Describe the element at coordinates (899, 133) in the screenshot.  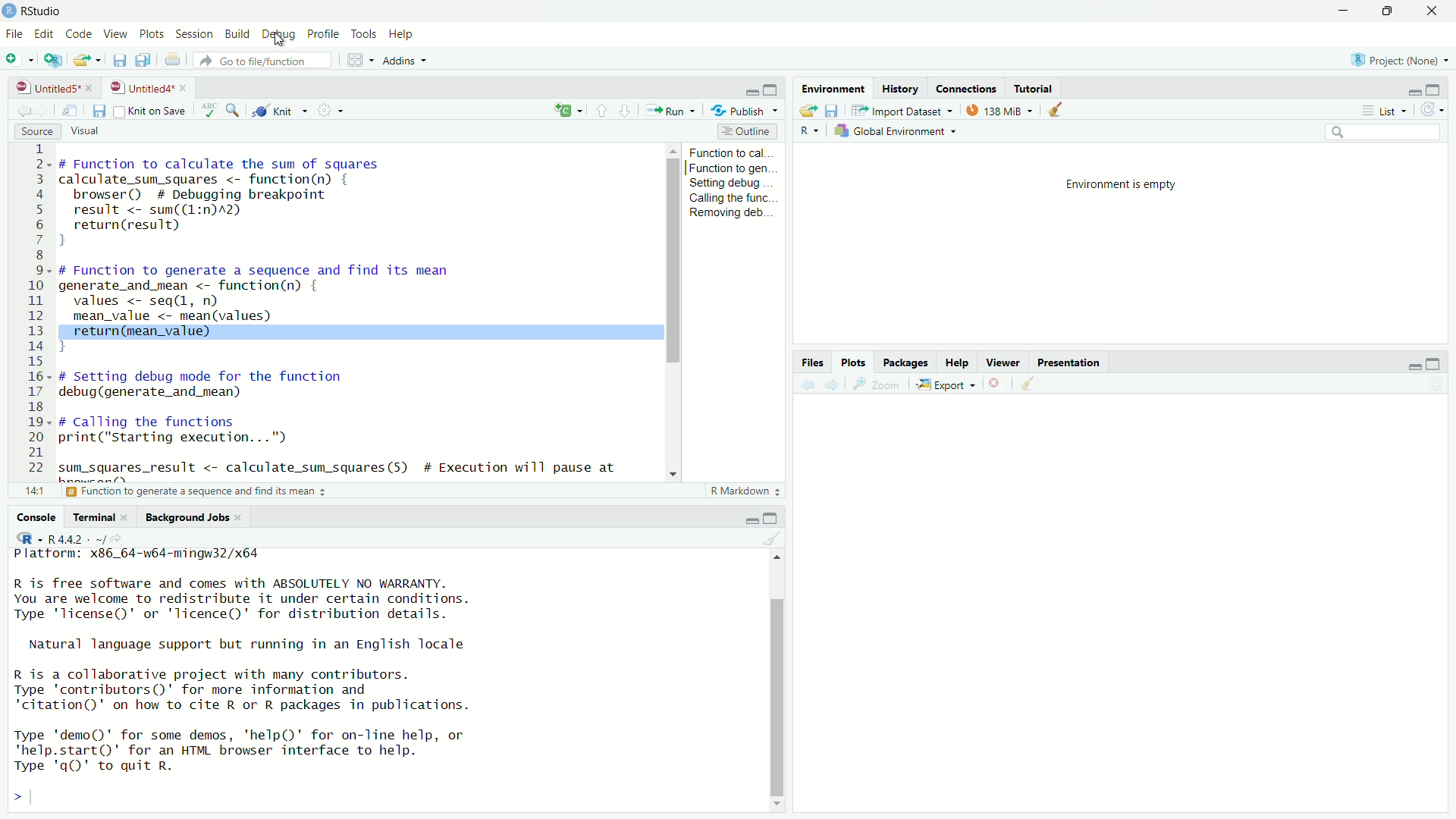
I see `global environment` at that location.